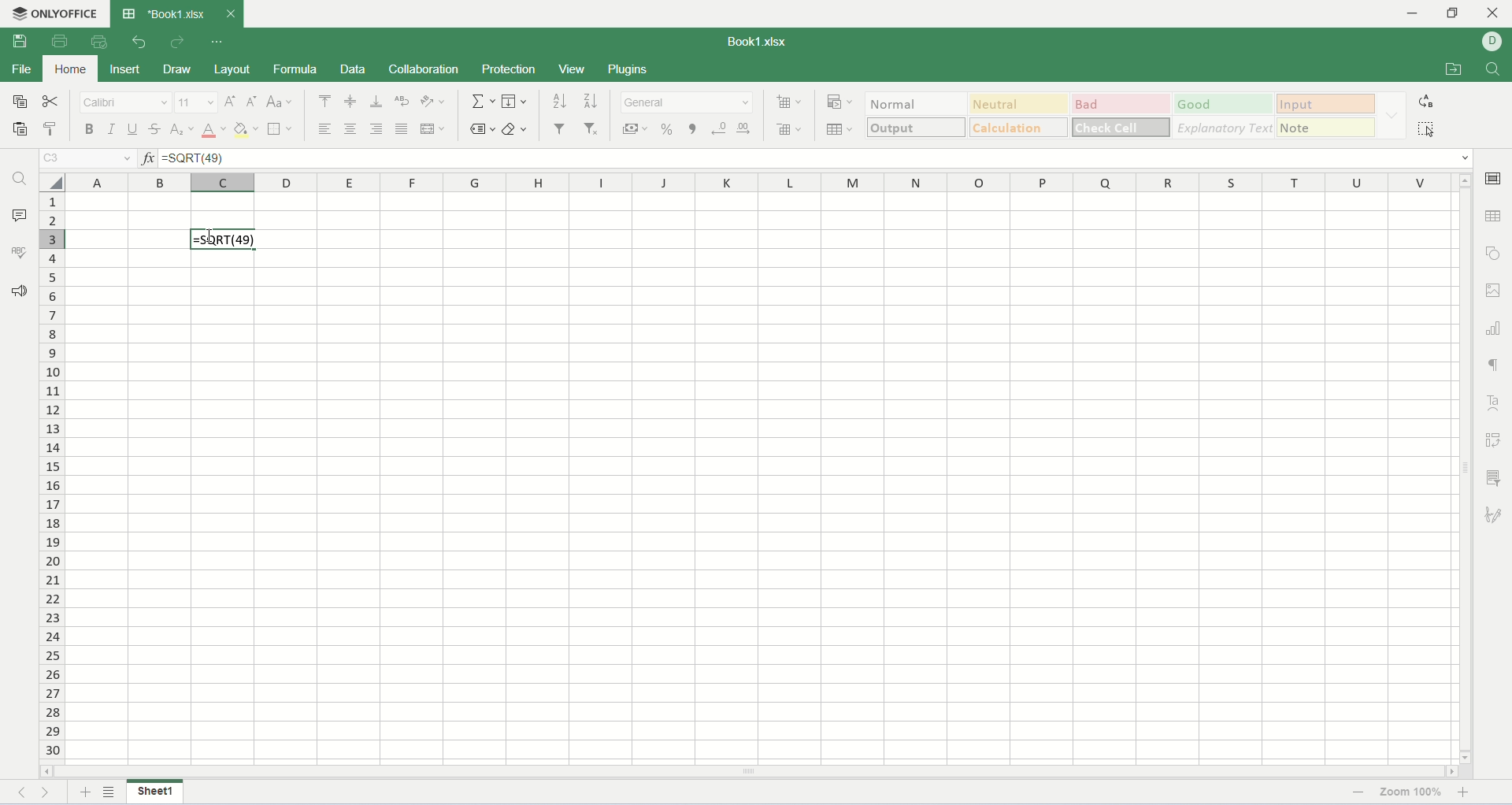 The image size is (1512, 805). What do you see at coordinates (108, 794) in the screenshot?
I see `list sheets` at bounding box center [108, 794].